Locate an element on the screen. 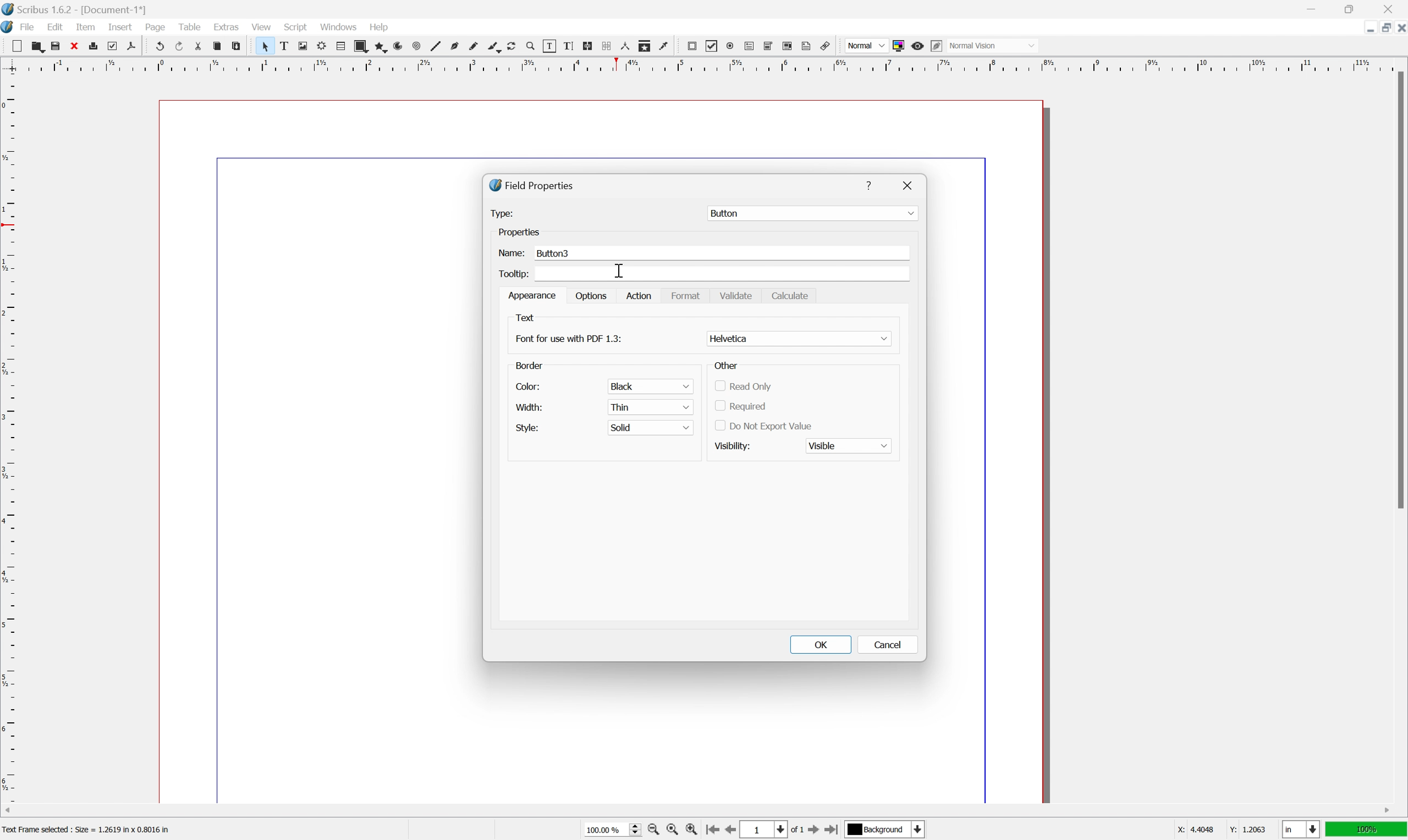 This screenshot has width=1408, height=840. appearance is located at coordinates (533, 295).